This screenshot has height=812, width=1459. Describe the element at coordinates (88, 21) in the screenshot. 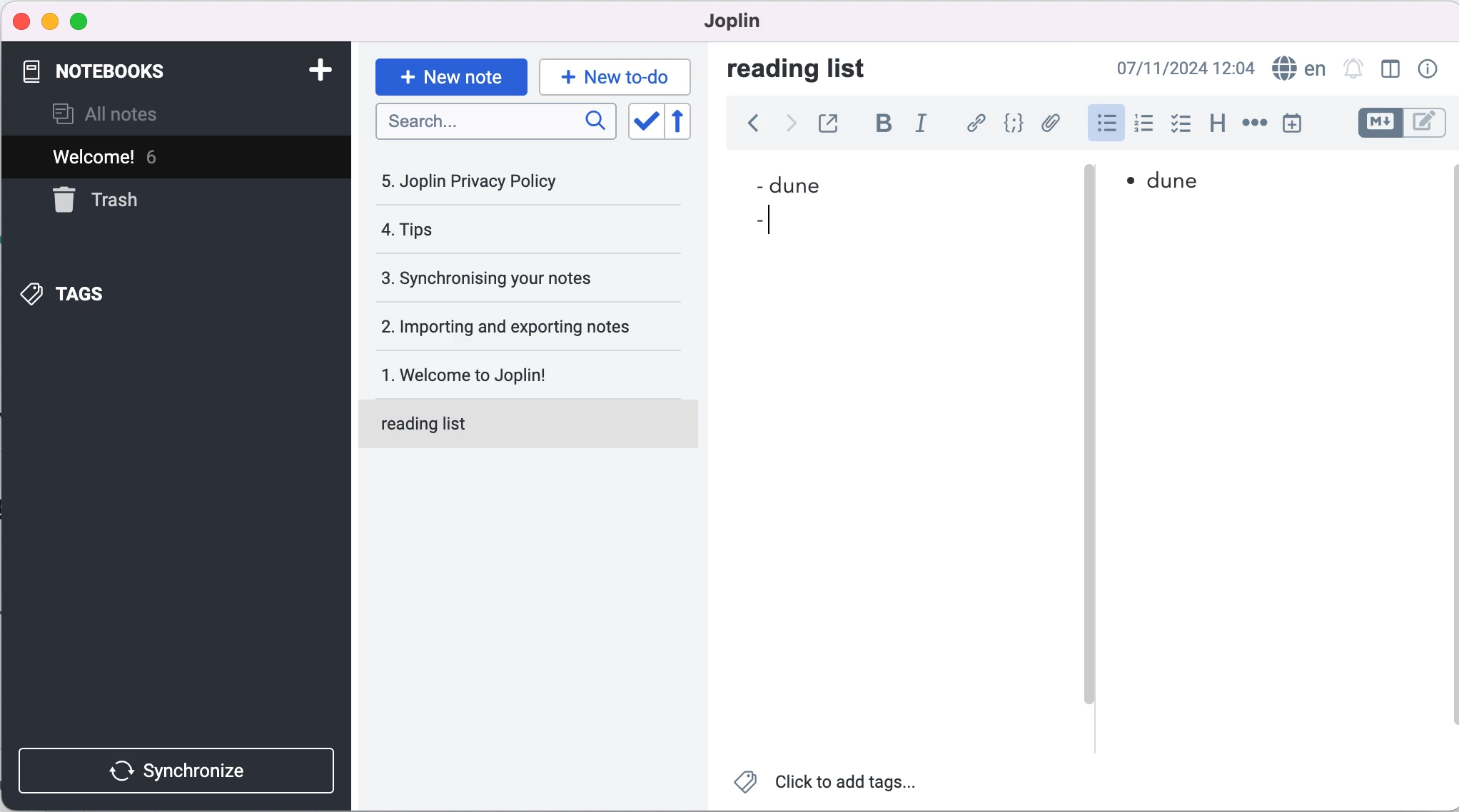

I see `maximize` at that location.